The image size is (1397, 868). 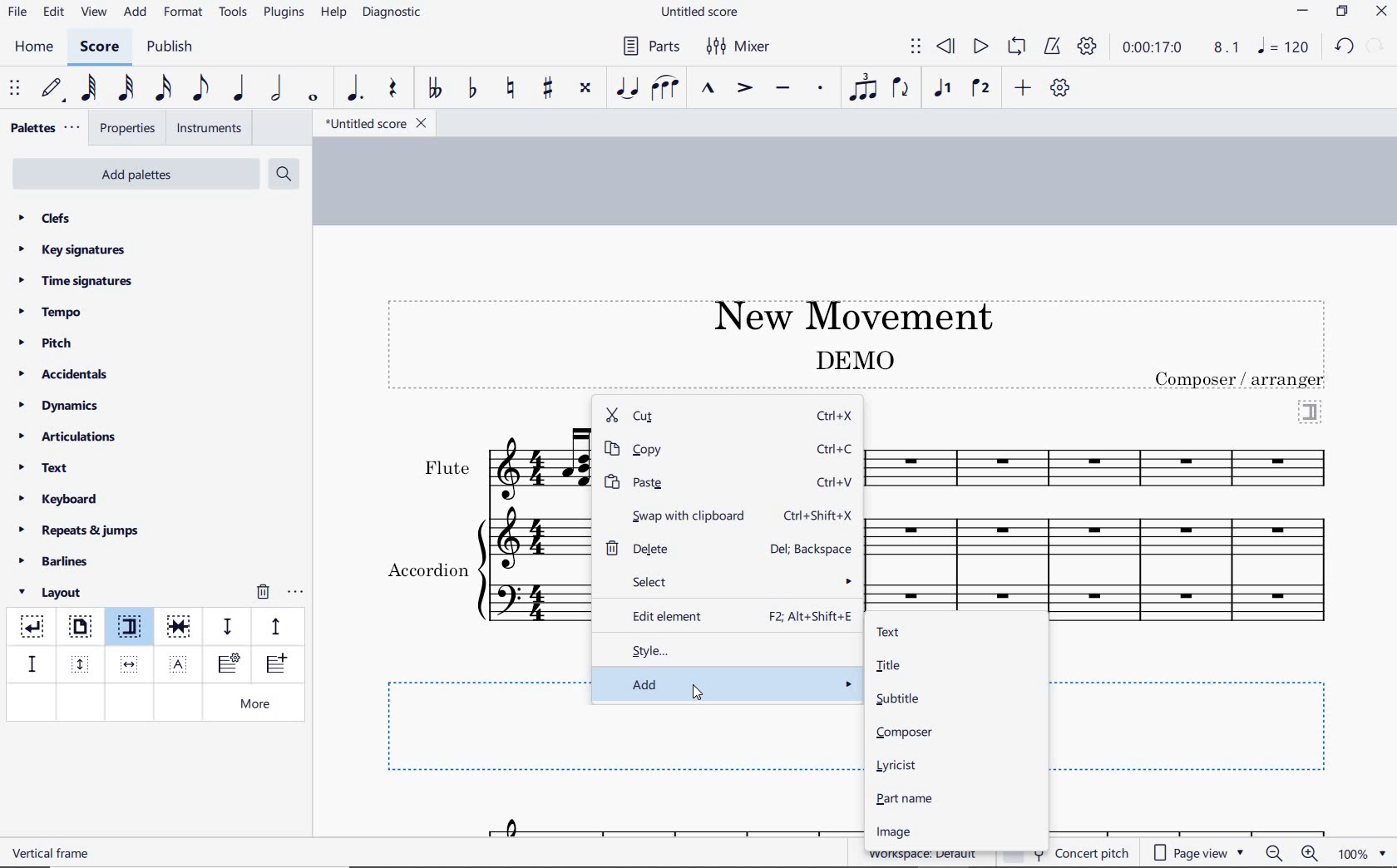 I want to click on pitch, so click(x=52, y=343).